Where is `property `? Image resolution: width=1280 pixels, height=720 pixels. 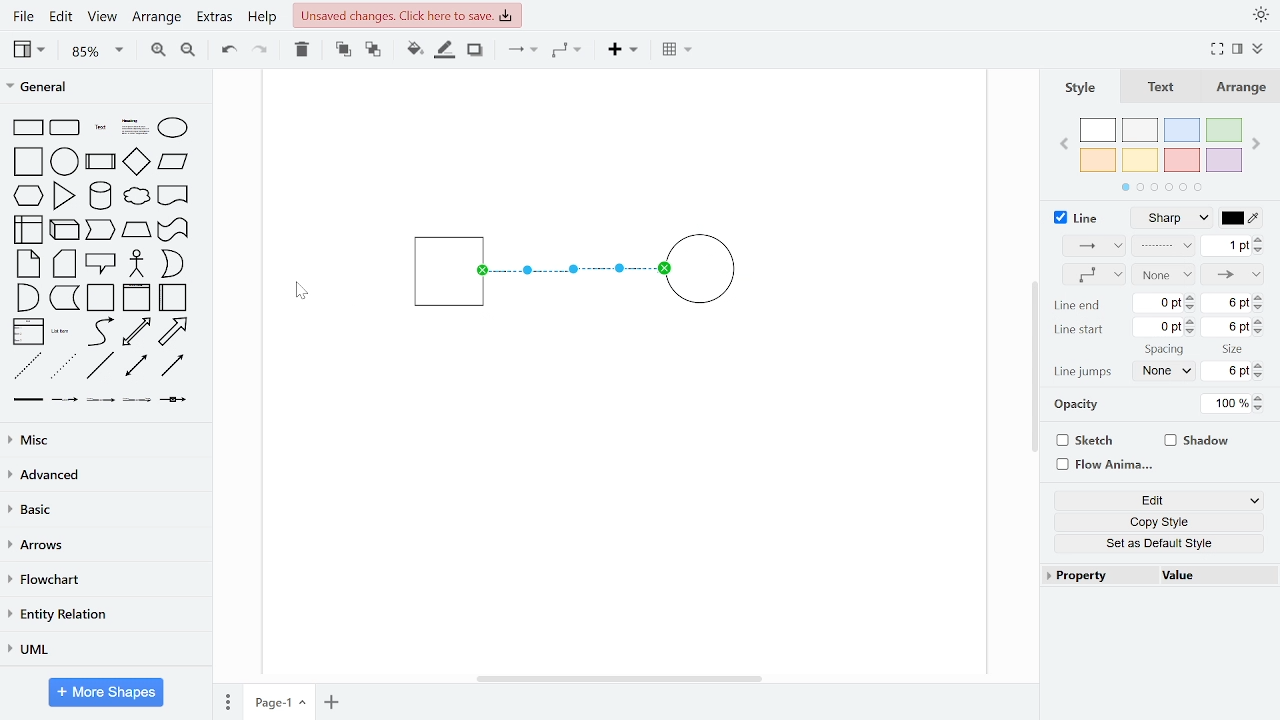
property  is located at coordinates (1097, 574).